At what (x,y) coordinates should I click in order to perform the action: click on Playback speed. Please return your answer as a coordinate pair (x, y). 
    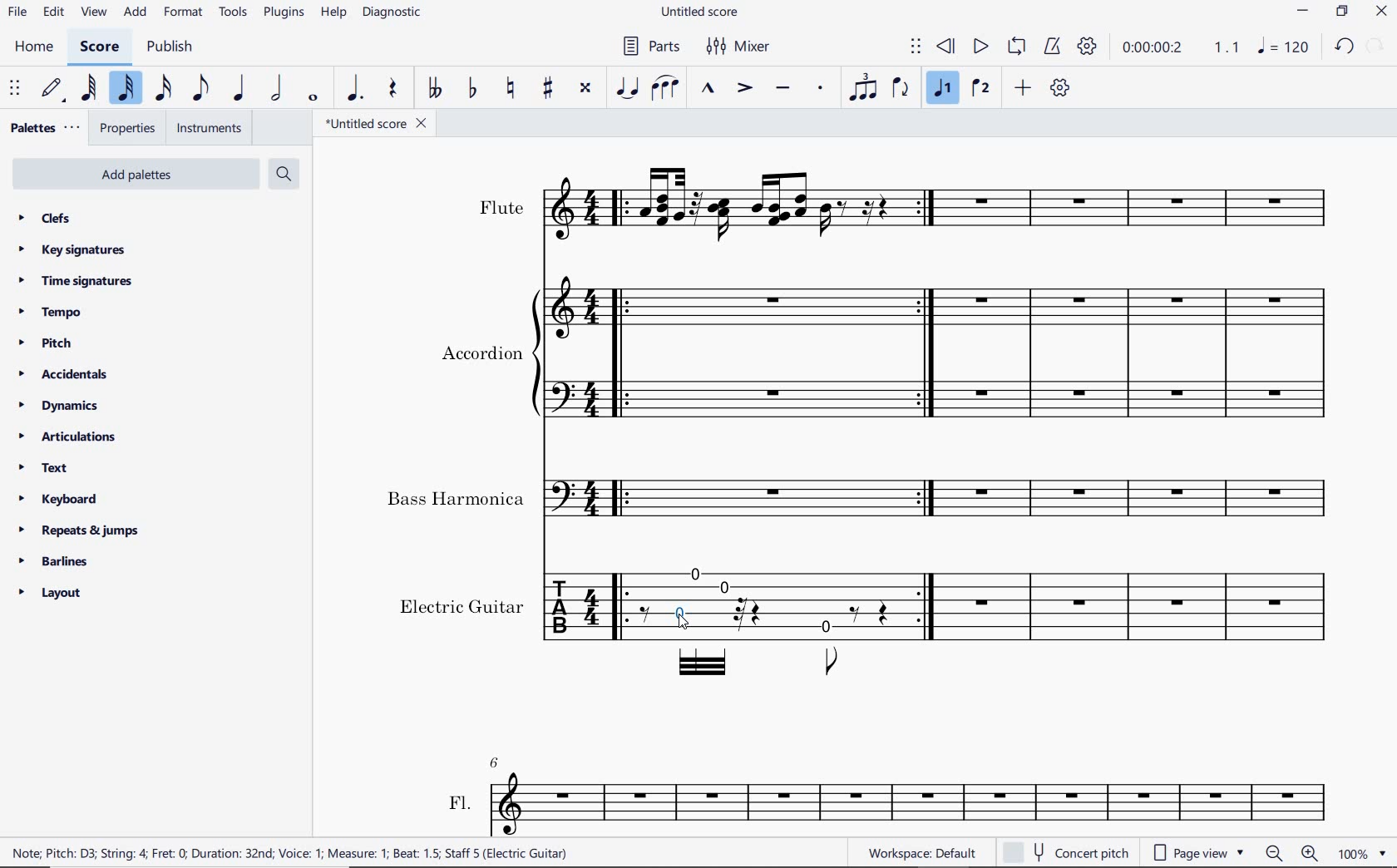
    Looking at the image, I should click on (1228, 49).